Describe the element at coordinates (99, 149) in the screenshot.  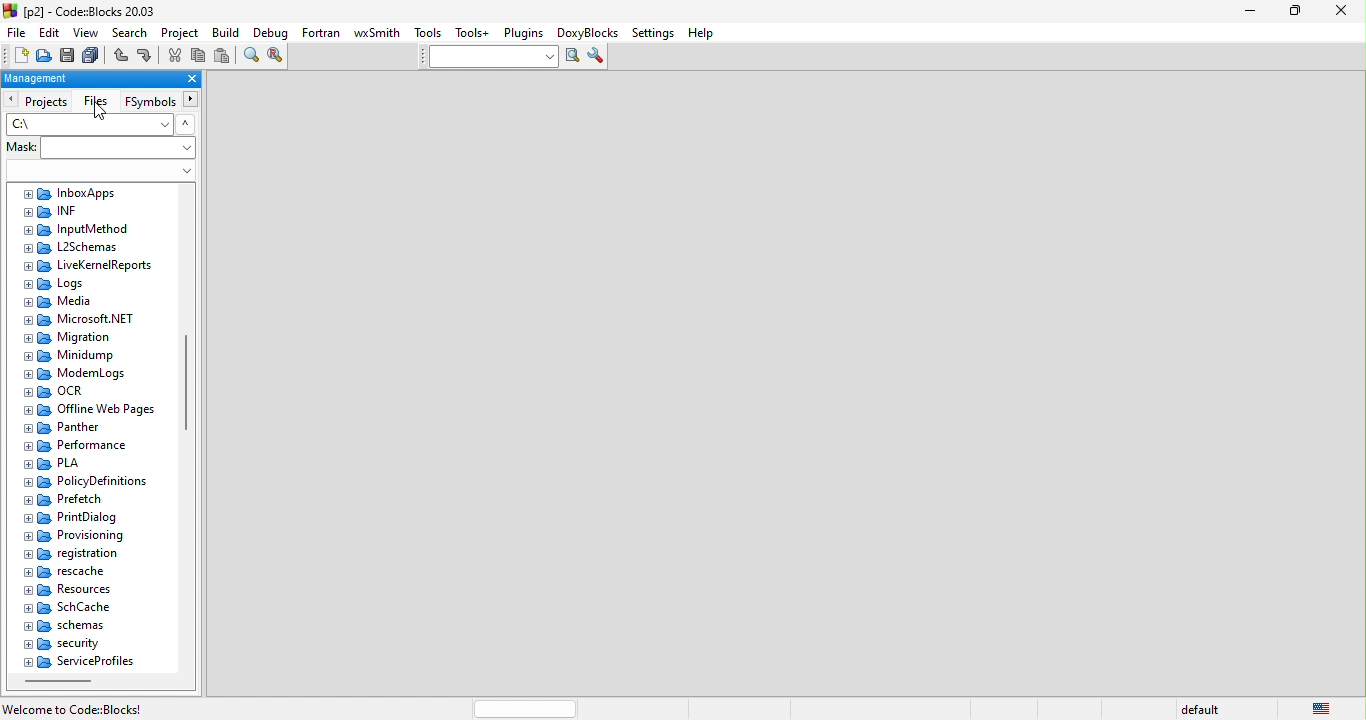
I see `Mask: ` at that location.